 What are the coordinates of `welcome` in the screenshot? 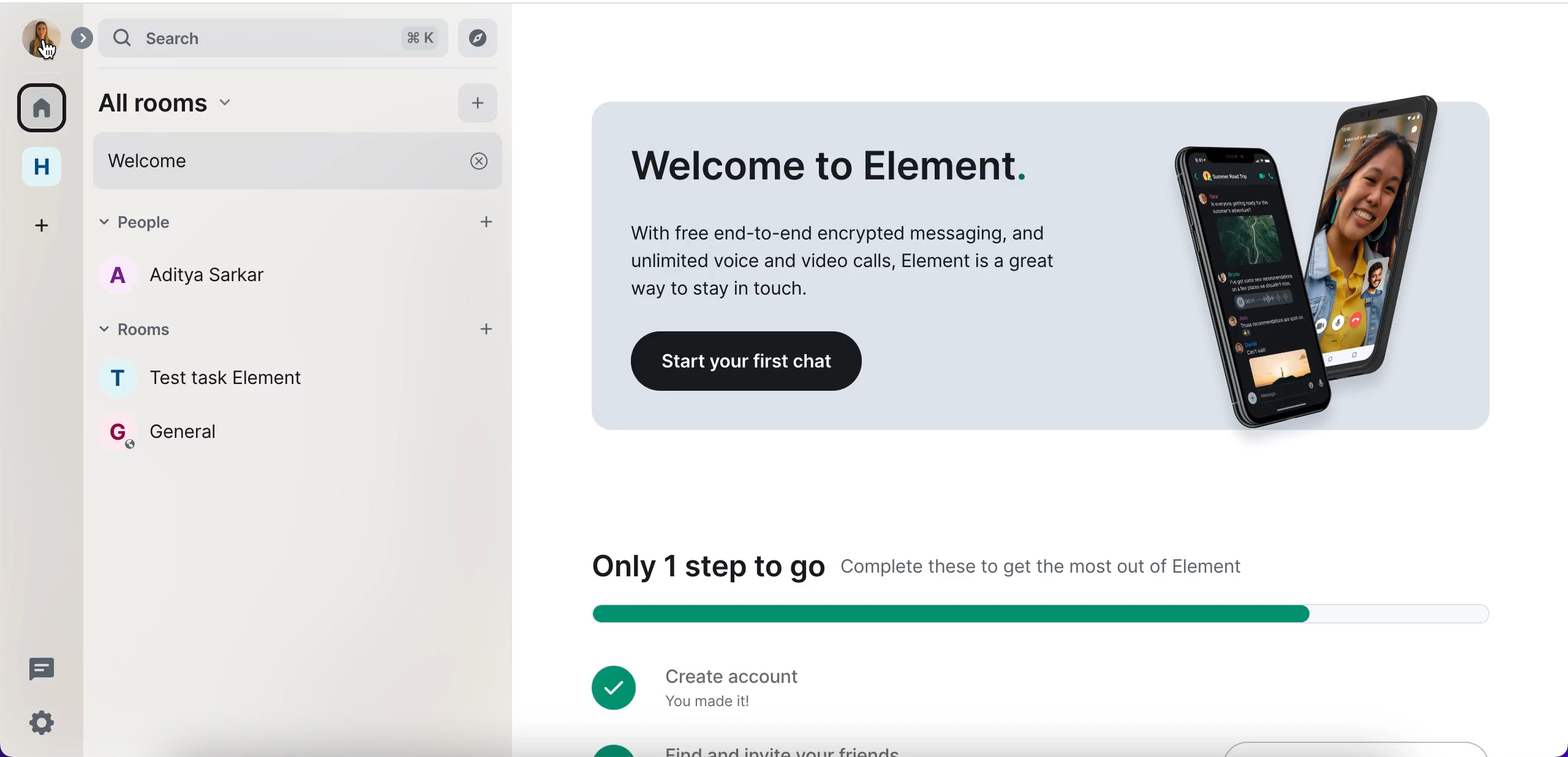 It's located at (299, 162).